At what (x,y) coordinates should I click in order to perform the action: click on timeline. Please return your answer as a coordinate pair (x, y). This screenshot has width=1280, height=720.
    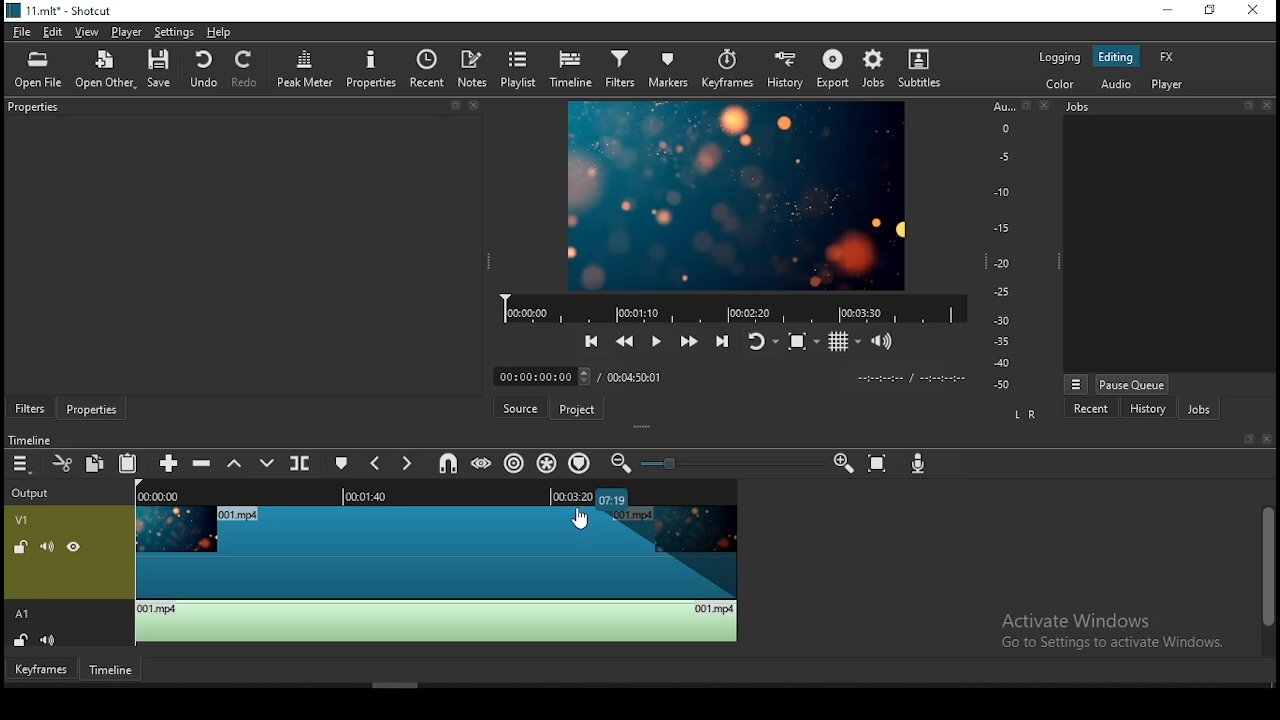
    Looking at the image, I should click on (111, 672).